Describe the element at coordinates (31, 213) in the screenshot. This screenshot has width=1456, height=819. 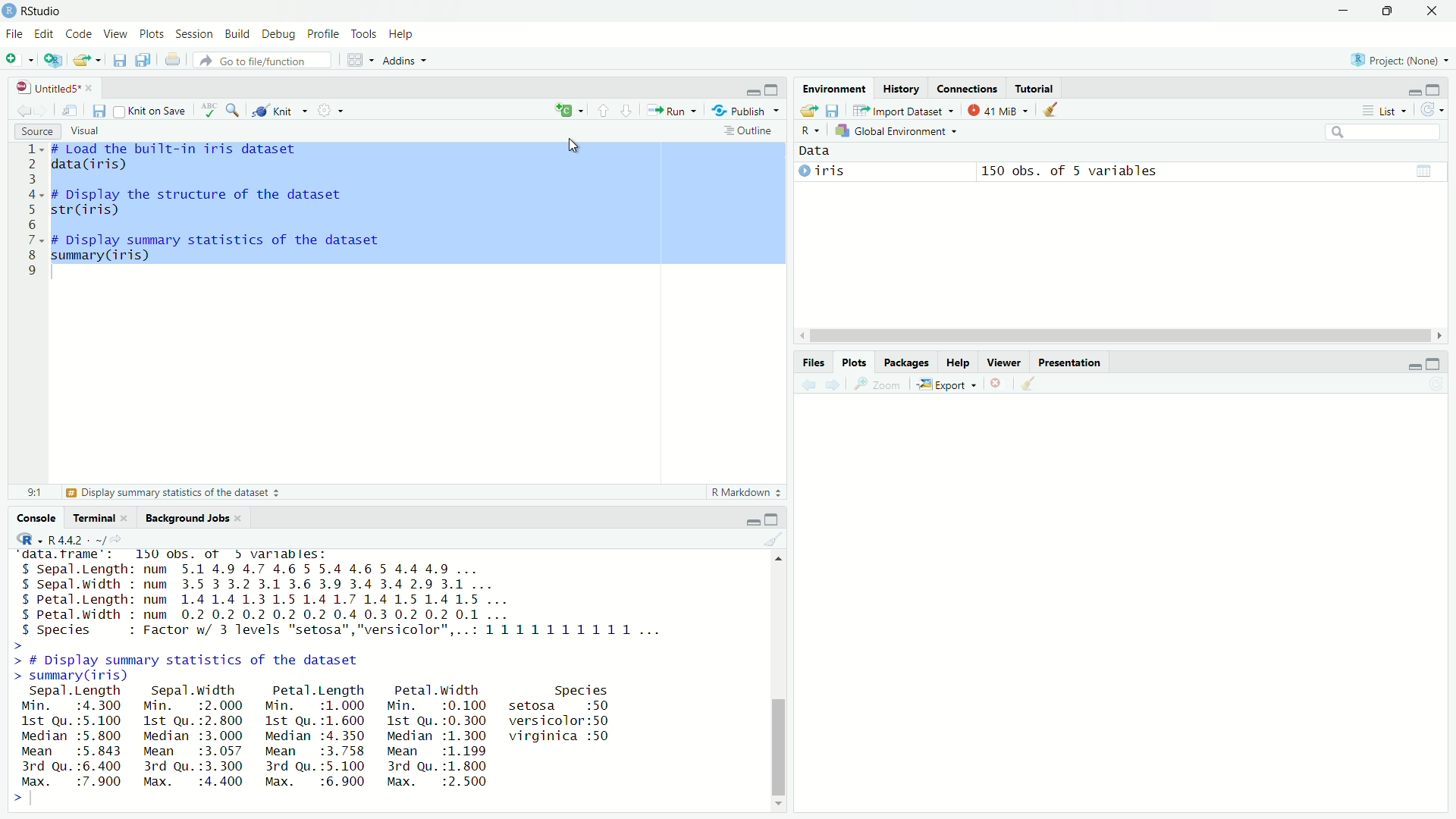
I see `Line numbers` at that location.